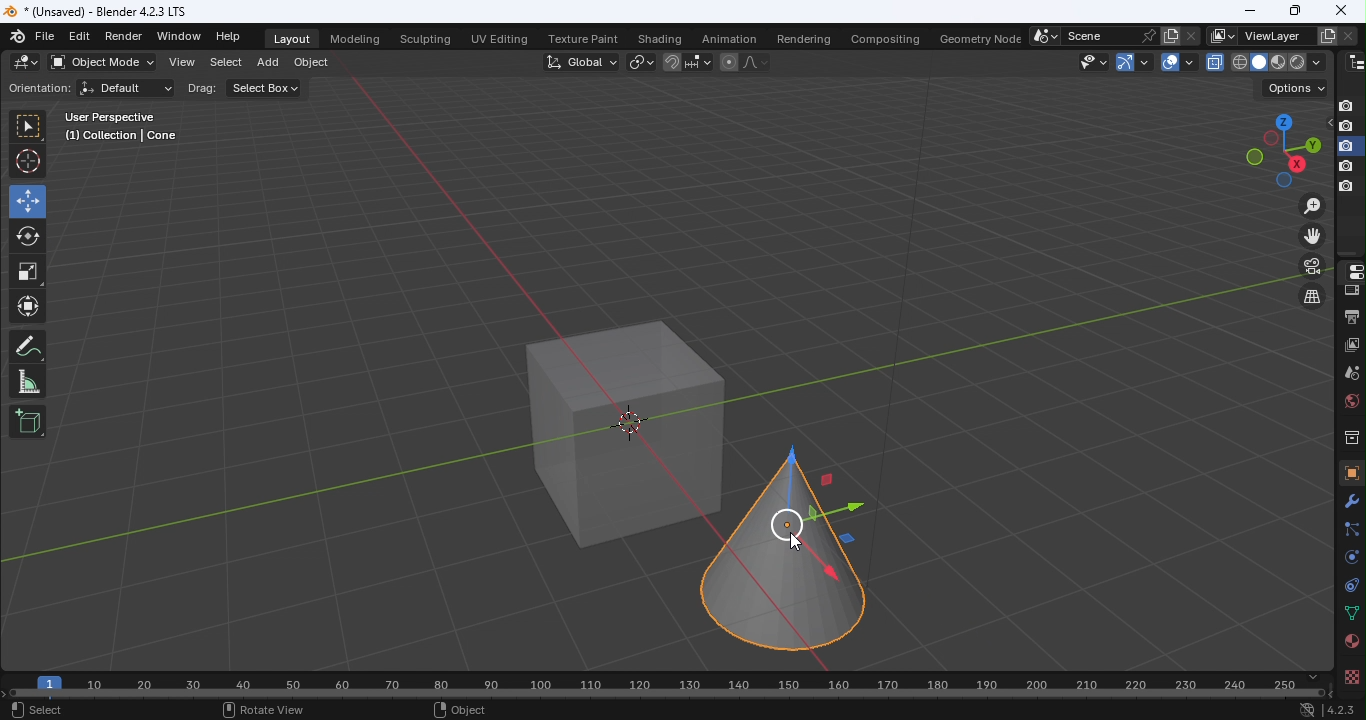 This screenshot has width=1366, height=720. I want to click on Shading, so click(659, 38).